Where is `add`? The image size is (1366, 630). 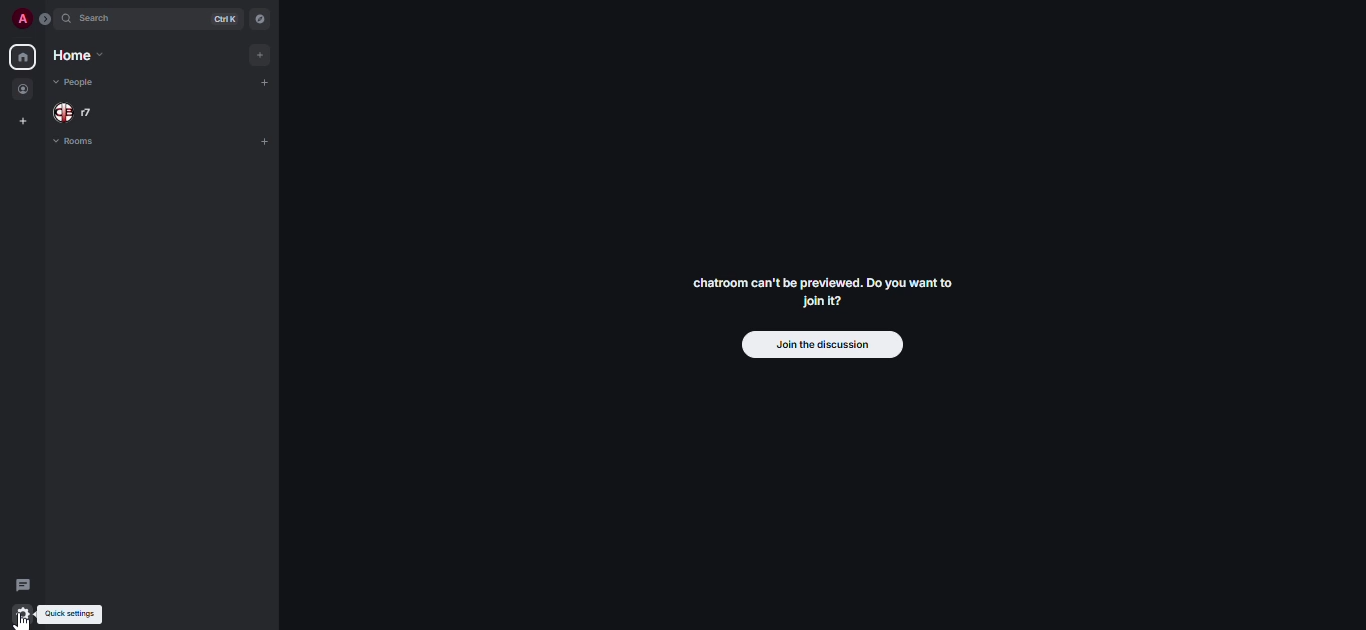
add is located at coordinates (271, 84).